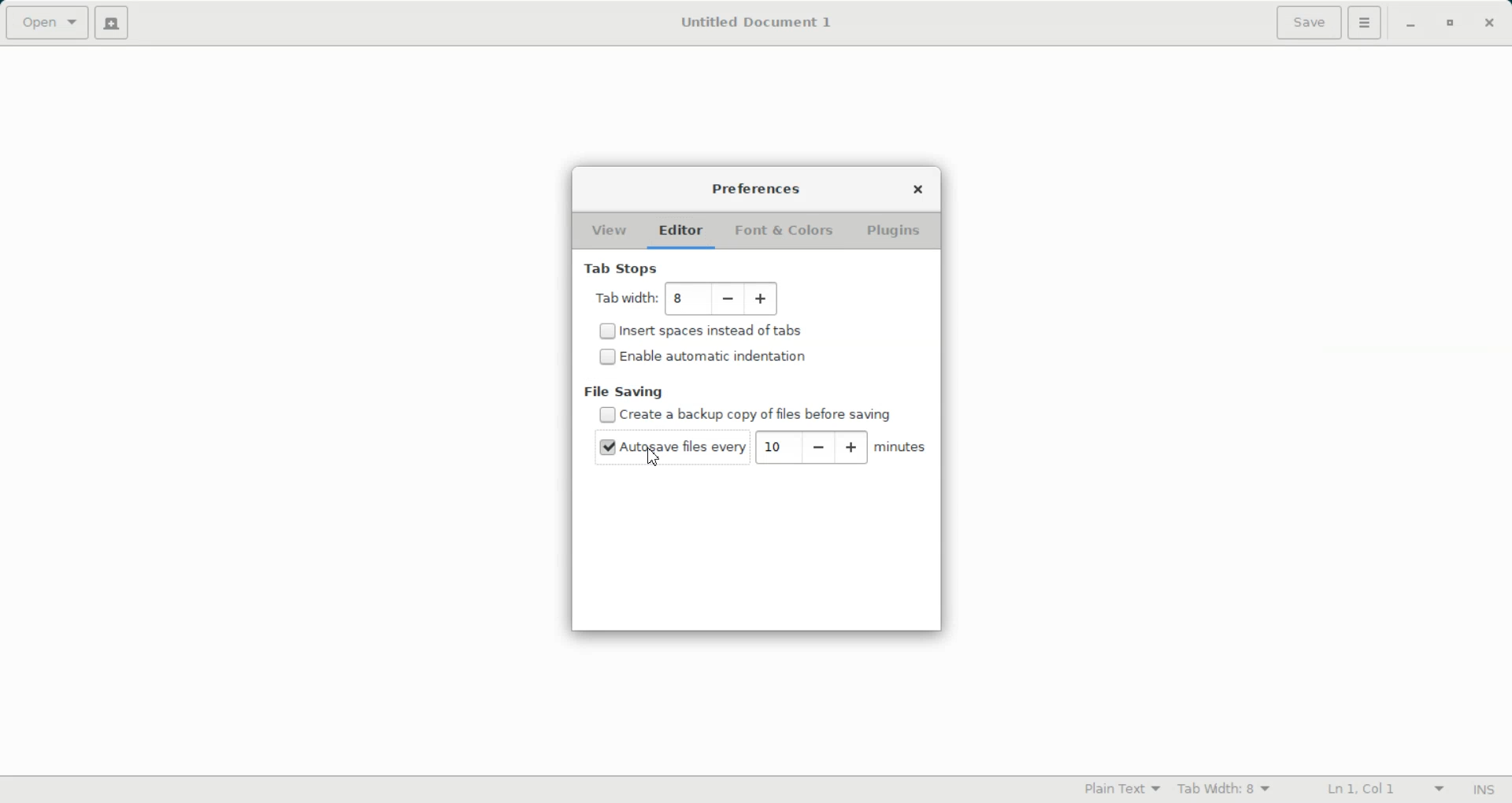  I want to click on Increase, so click(851, 447).